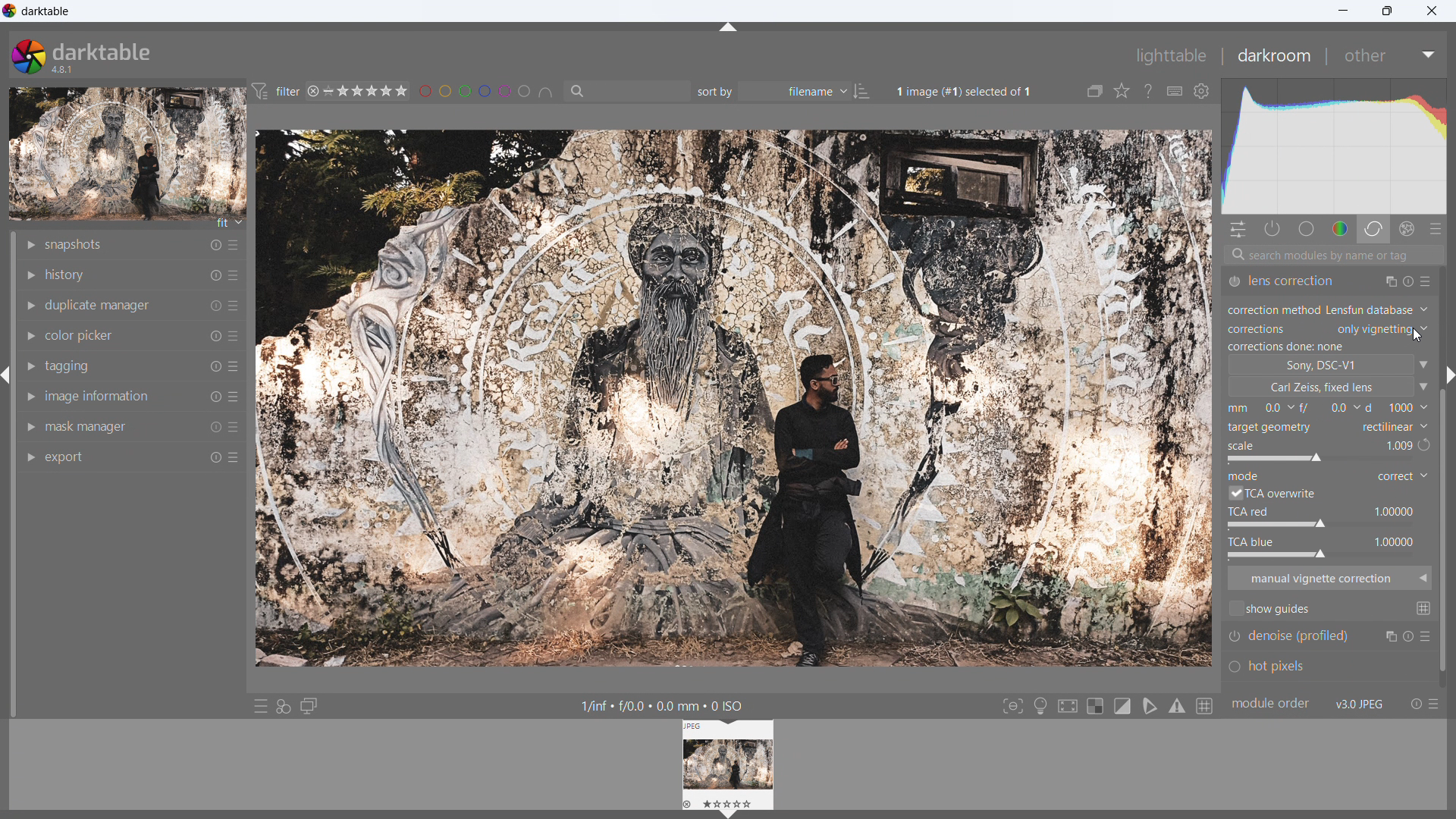 This screenshot has width=1456, height=819. I want to click on change global guide settings, so click(1424, 607).